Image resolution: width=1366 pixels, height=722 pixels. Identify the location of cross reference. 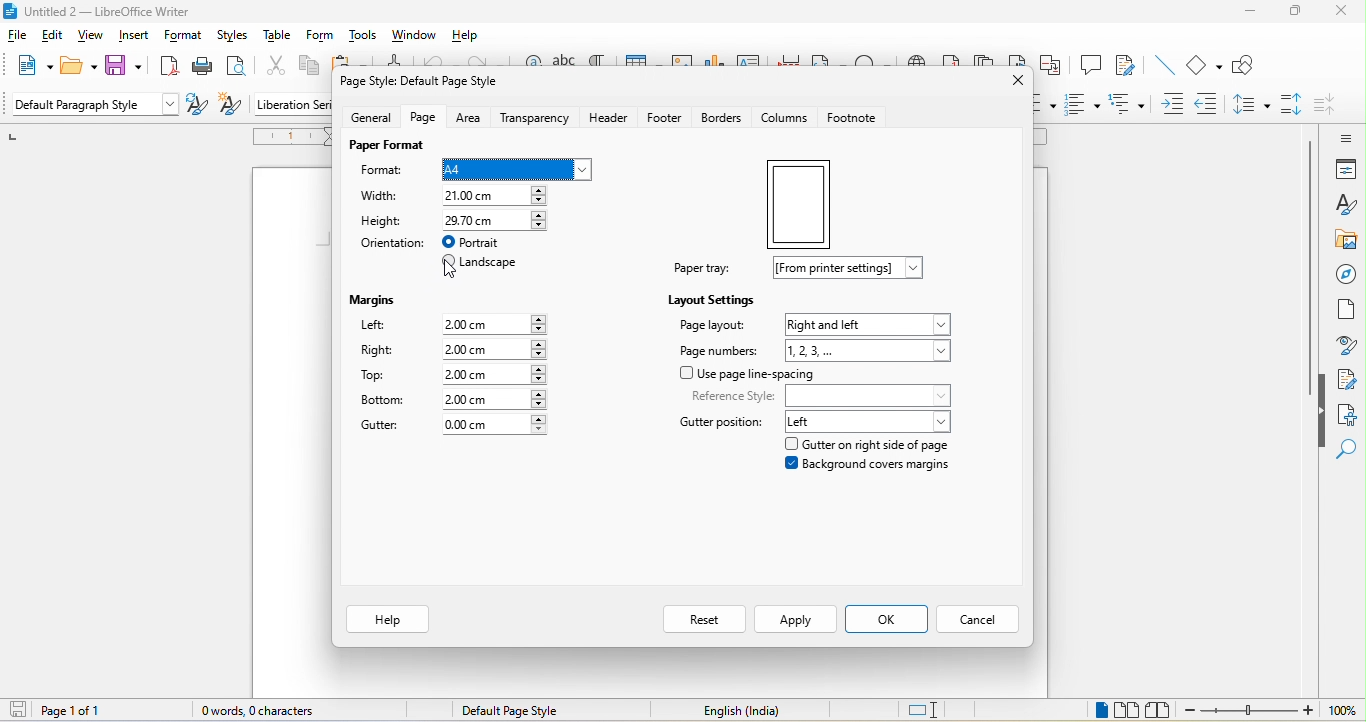
(1054, 68).